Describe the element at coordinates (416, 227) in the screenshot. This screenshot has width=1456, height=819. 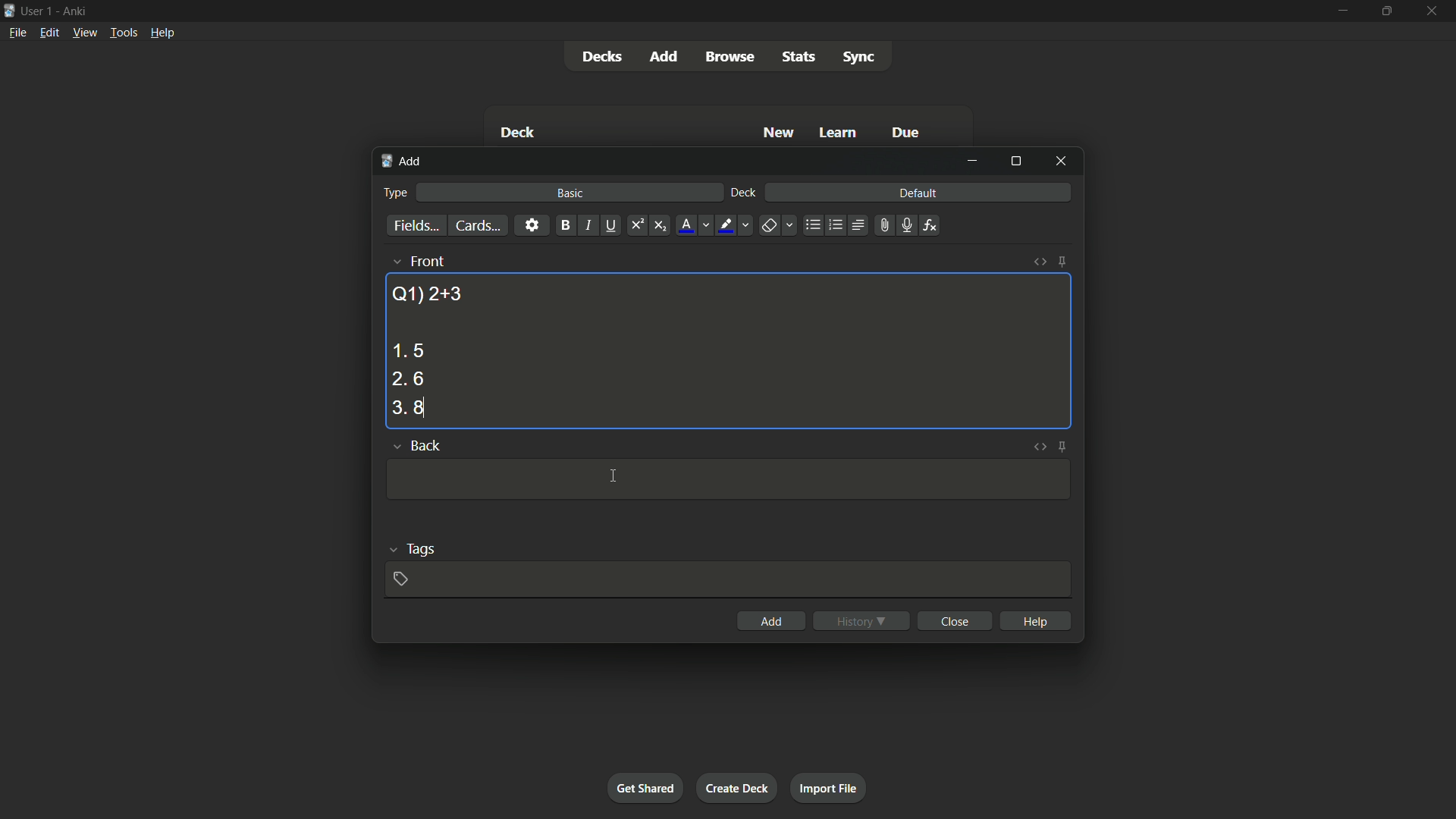
I see `fields` at that location.